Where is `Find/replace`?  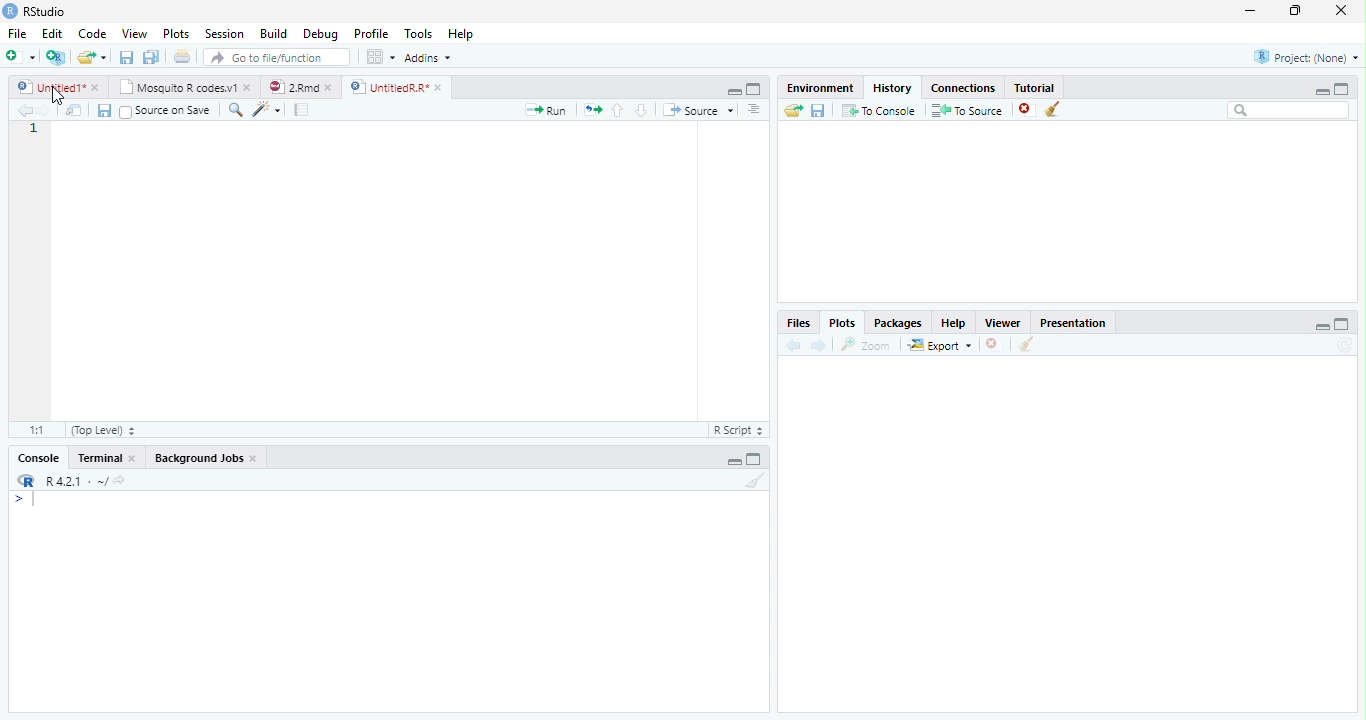 Find/replace is located at coordinates (234, 110).